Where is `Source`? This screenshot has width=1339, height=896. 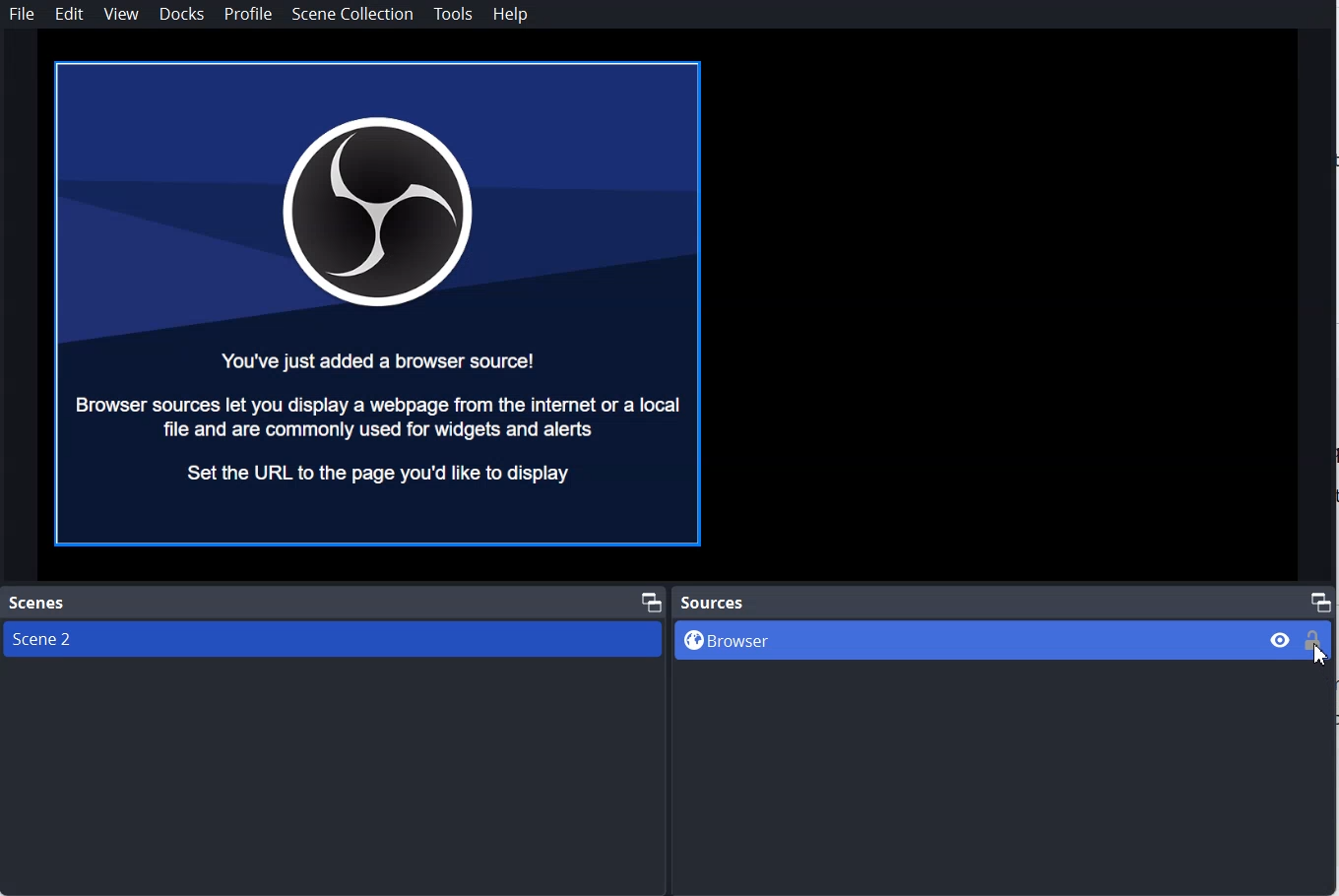 Source is located at coordinates (715, 601).